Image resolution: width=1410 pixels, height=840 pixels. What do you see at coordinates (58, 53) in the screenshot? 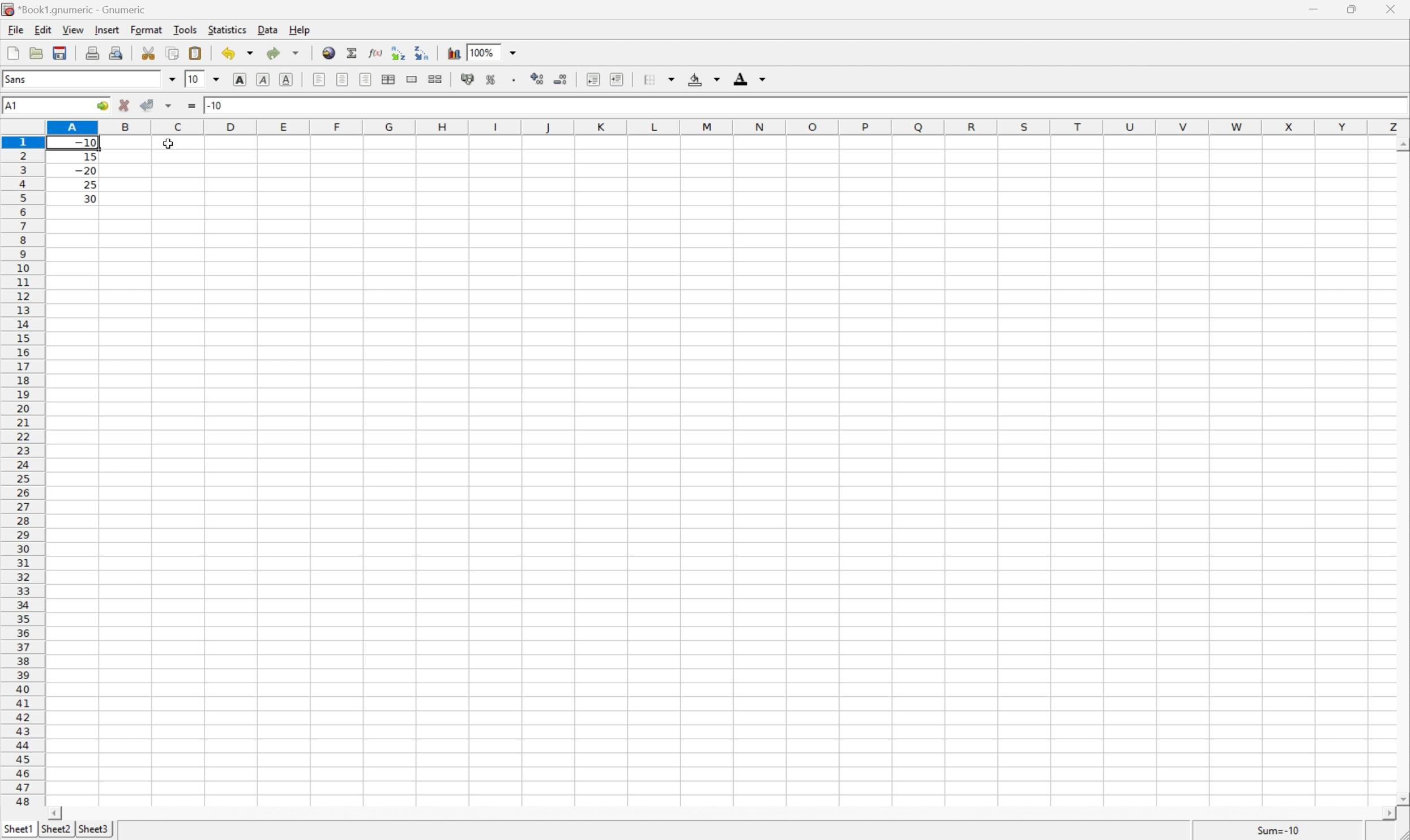
I see `Open mobile file` at bounding box center [58, 53].